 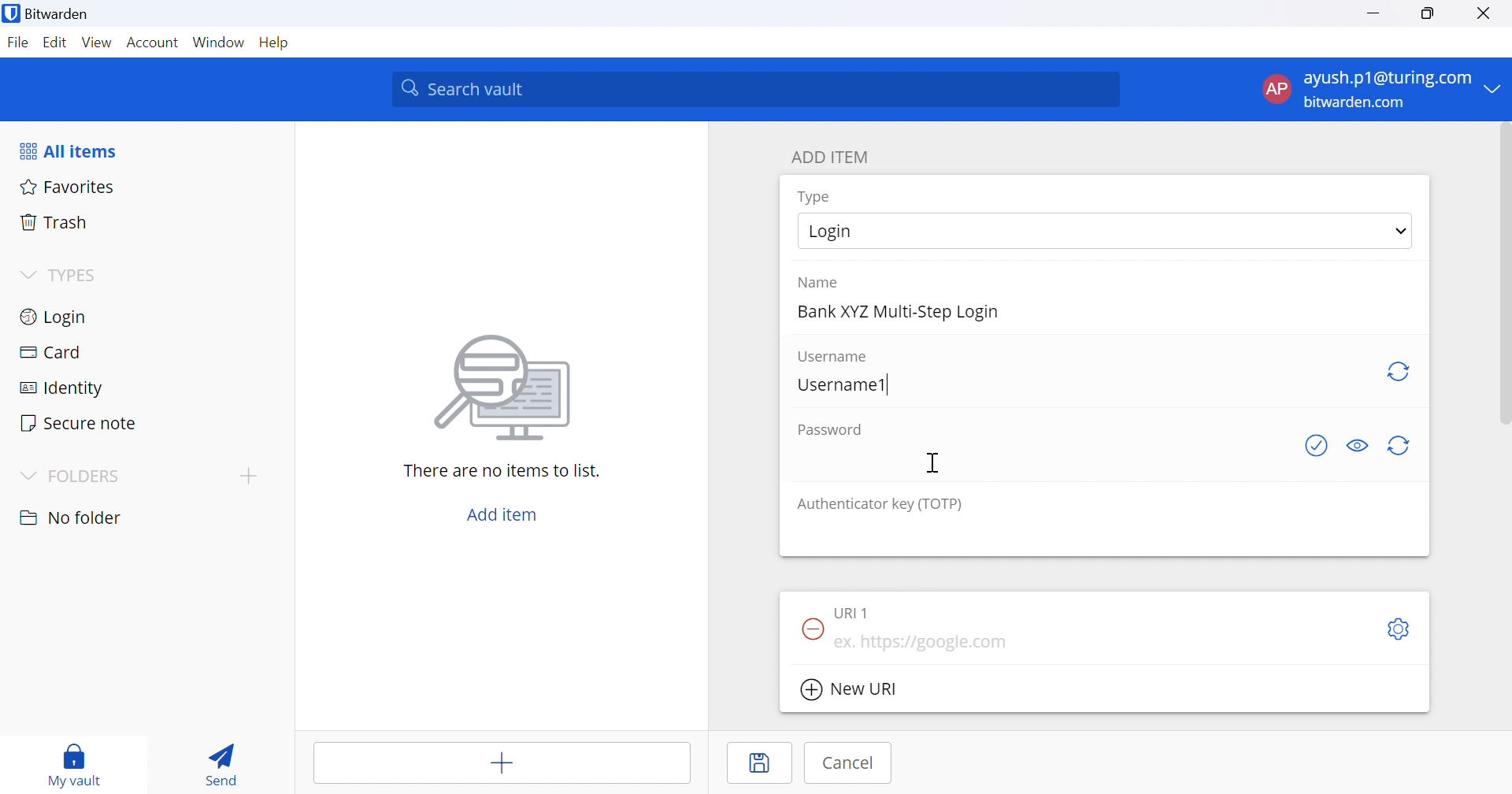 I want to click on Password, so click(x=832, y=429).